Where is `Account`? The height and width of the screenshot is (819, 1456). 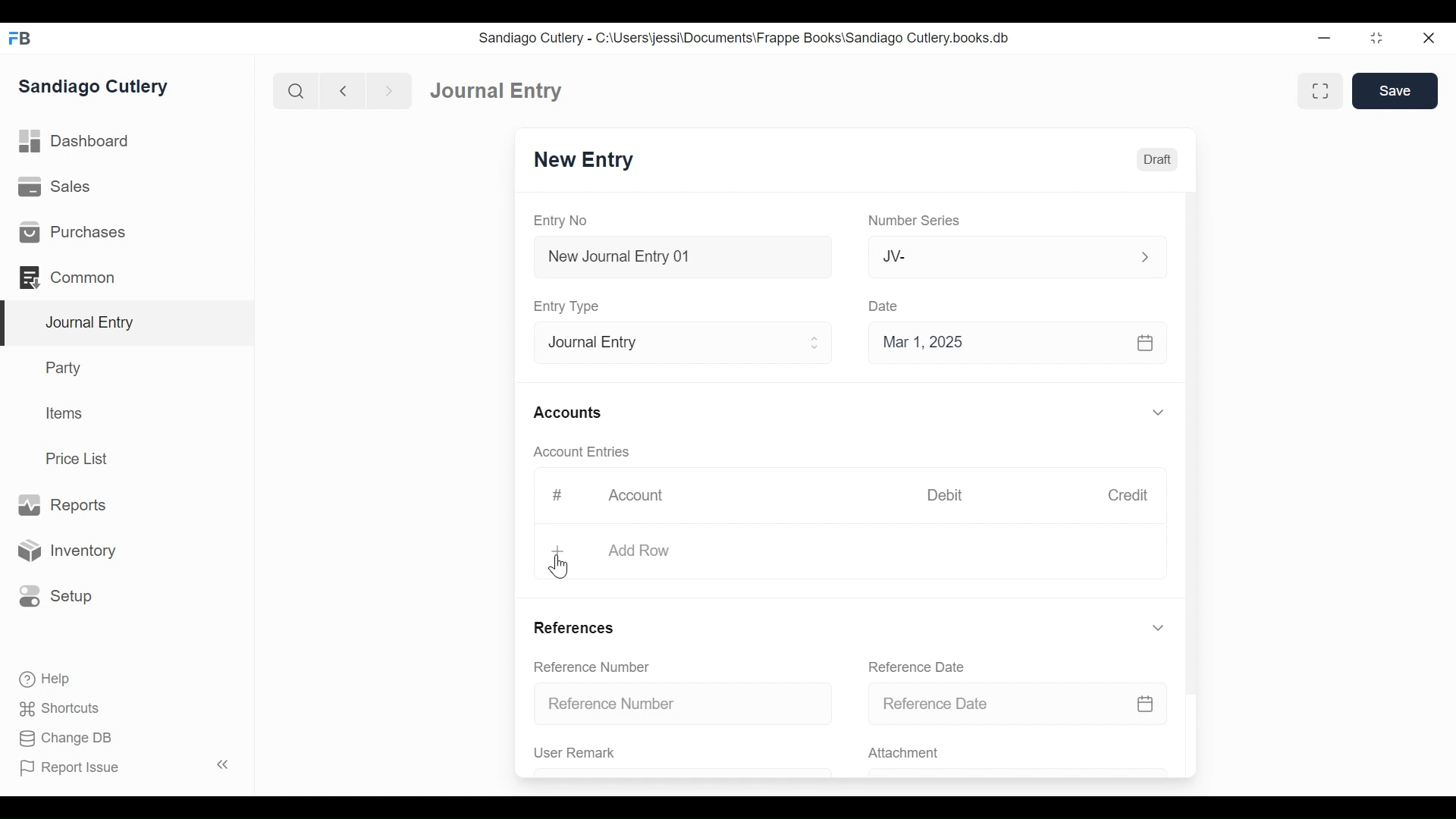
Account is located at coordinates (635, 496).